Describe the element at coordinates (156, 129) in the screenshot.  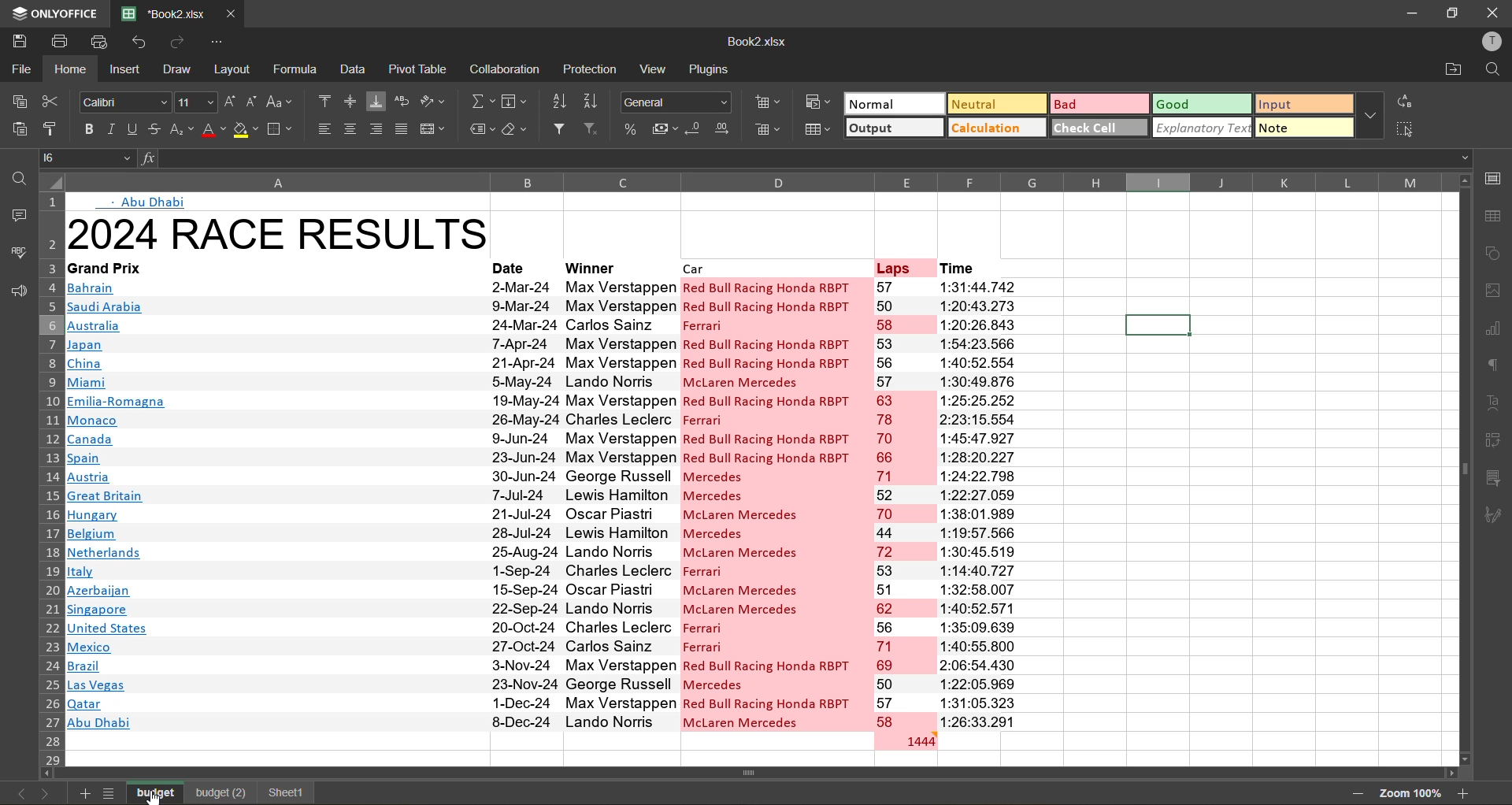
I see `strikethrough` at that location.